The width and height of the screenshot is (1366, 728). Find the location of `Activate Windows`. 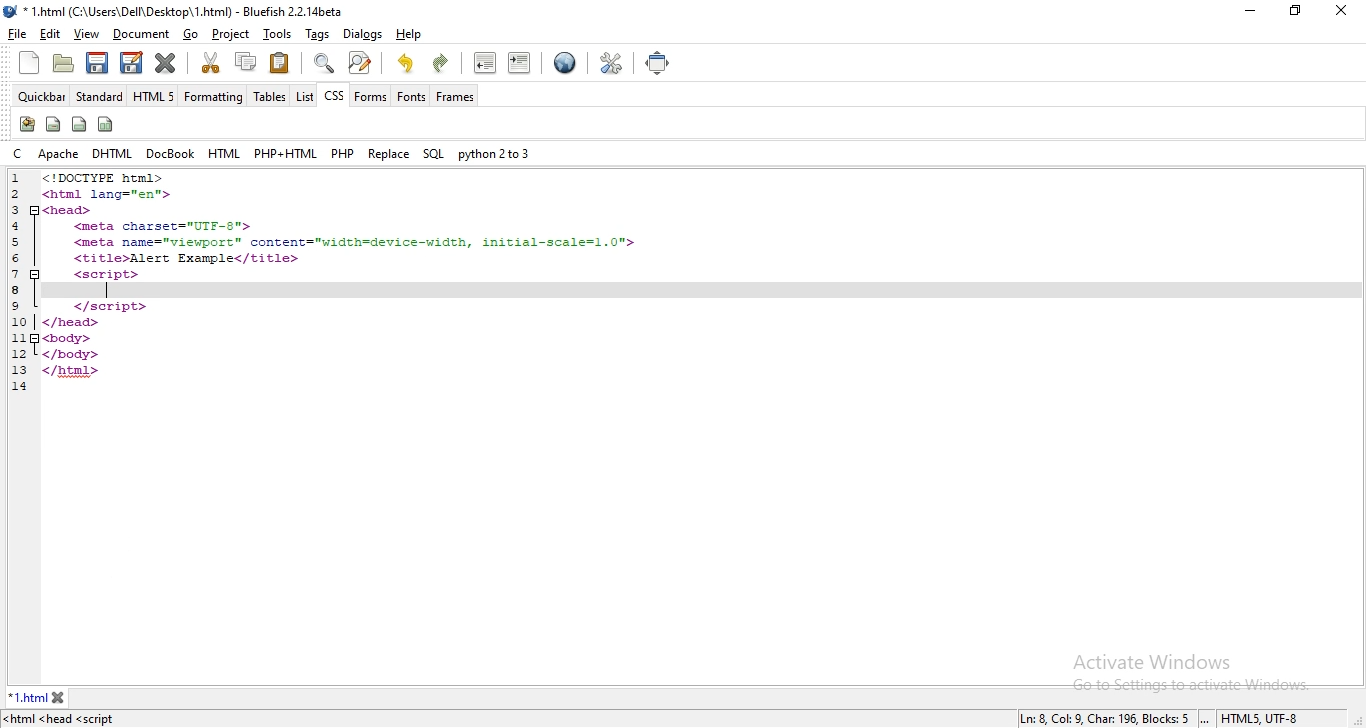

Activate Windows is located at coordinates (1151, 661).